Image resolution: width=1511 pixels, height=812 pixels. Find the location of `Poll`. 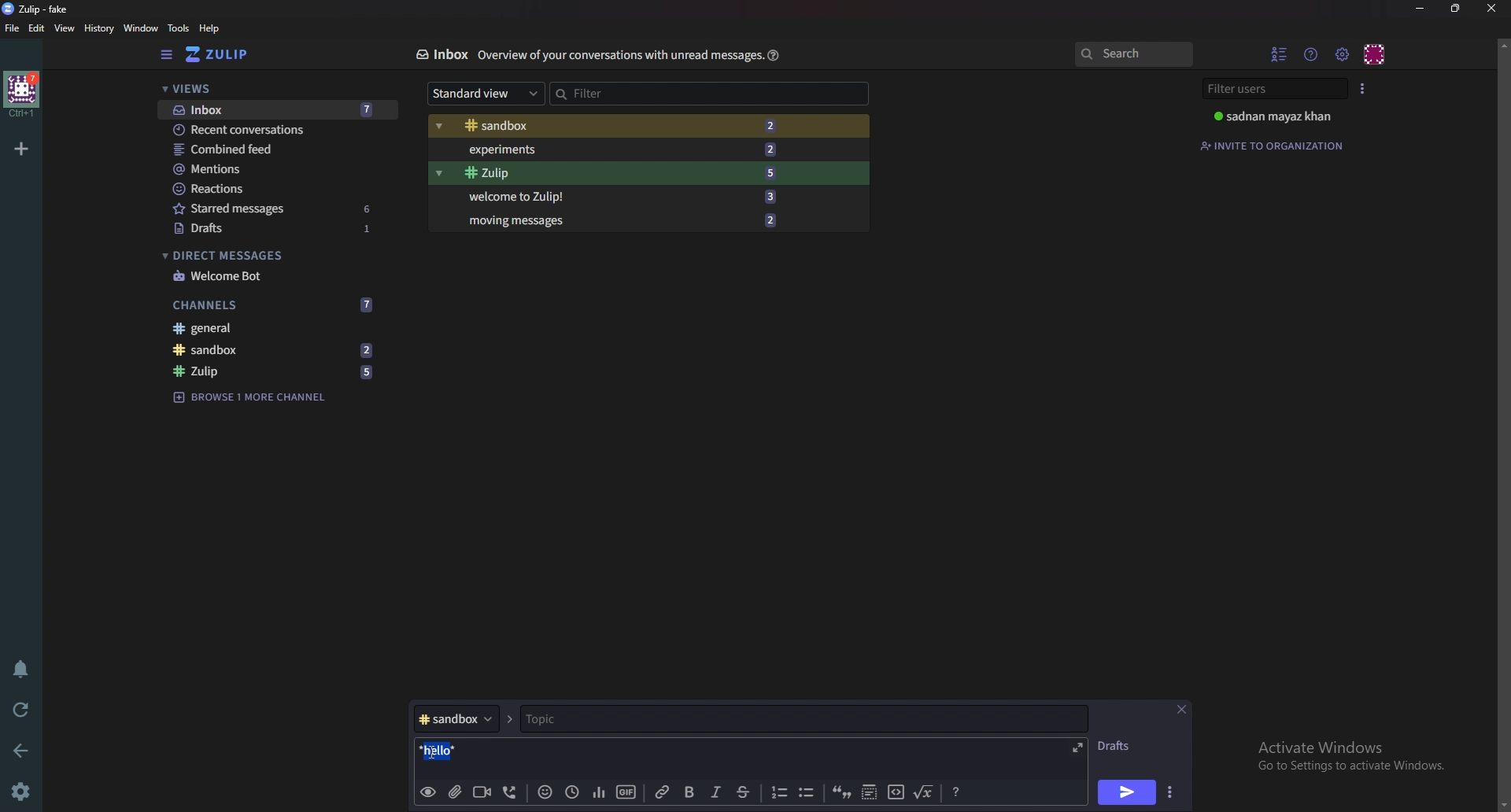

Poll is located at coordinates (597, 793).